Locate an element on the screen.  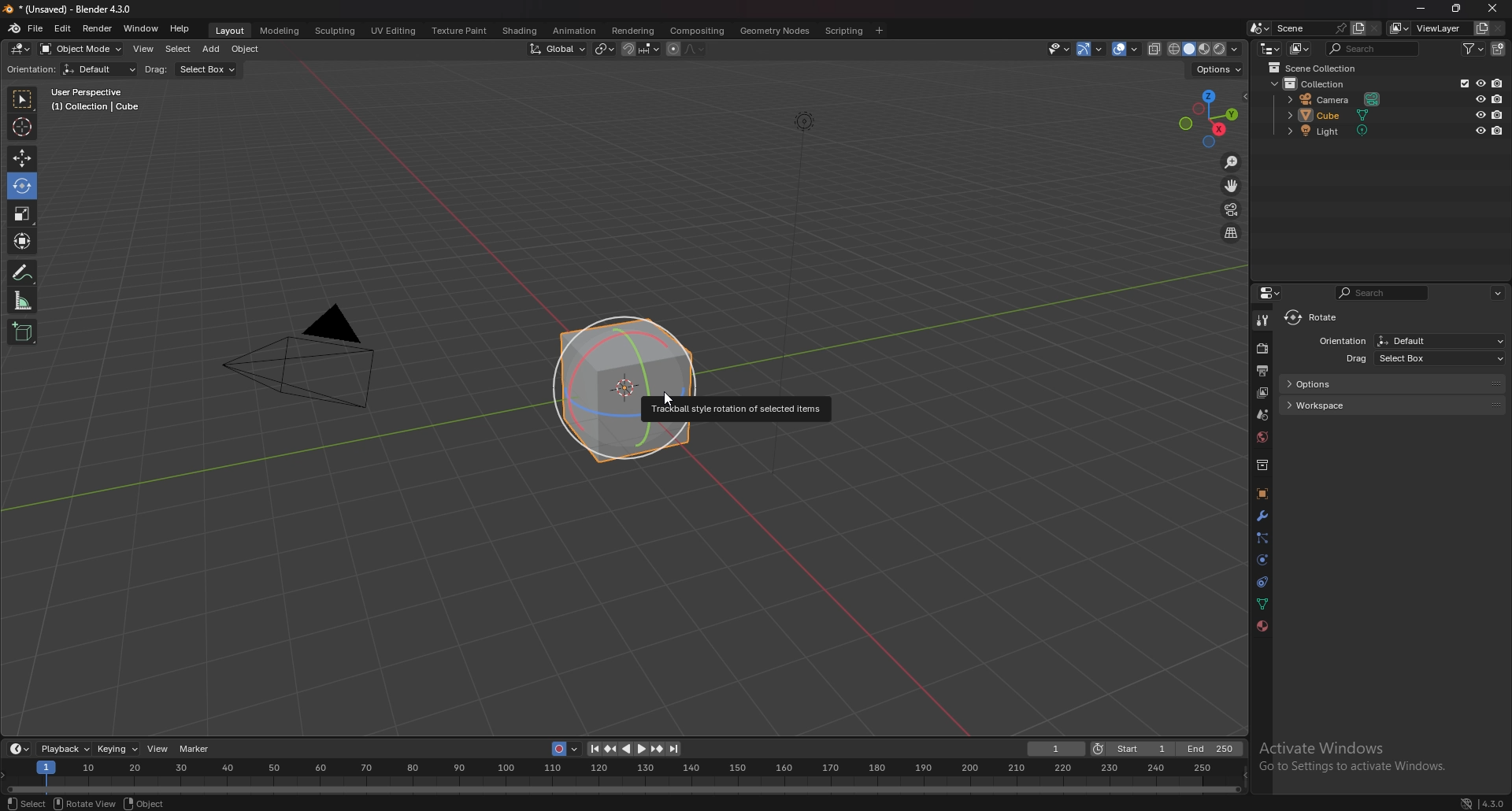
proportional editing falloff is located at coordinates (694, 49).